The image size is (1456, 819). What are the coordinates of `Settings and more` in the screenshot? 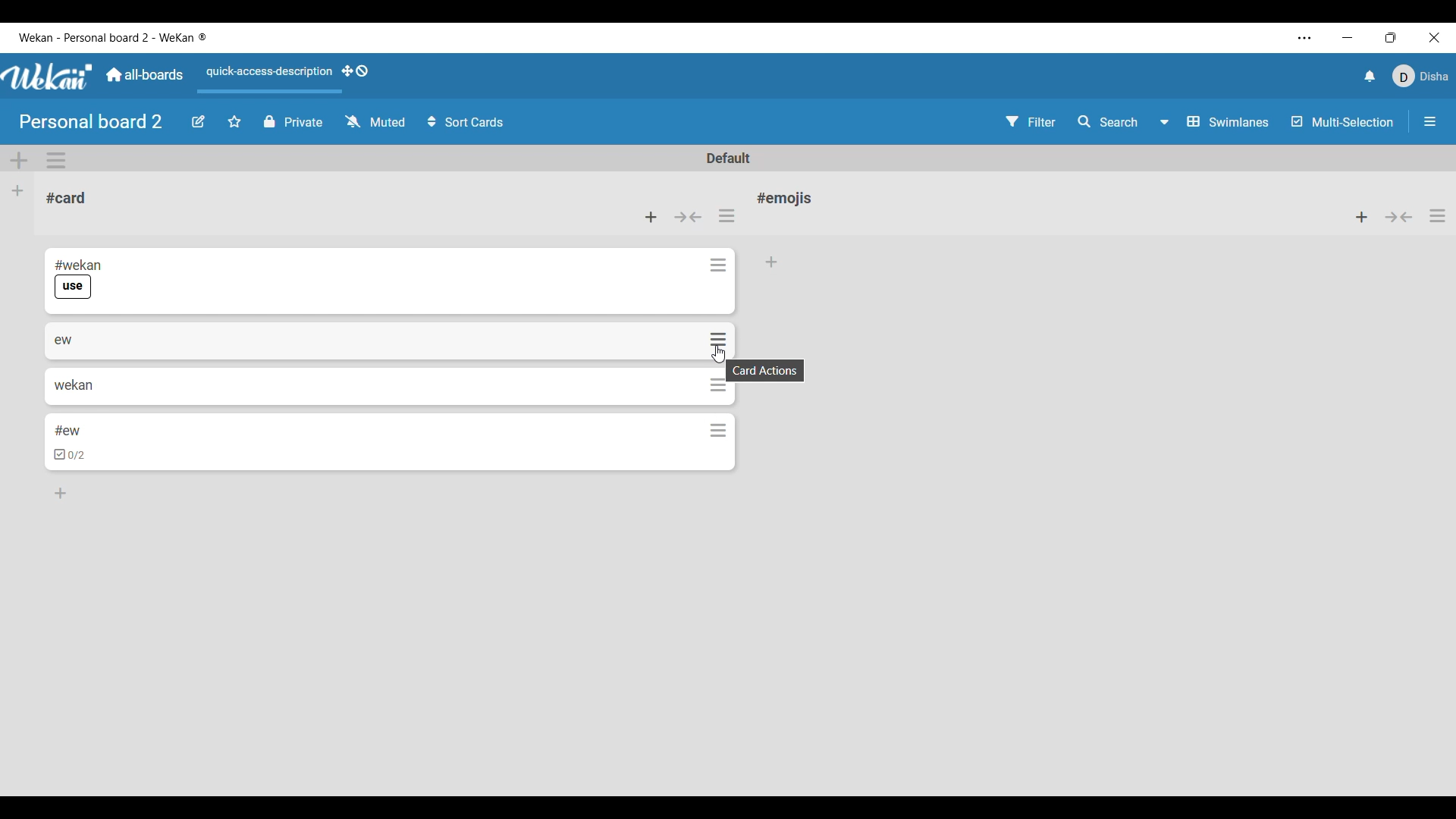 It's located at (1305, 38).